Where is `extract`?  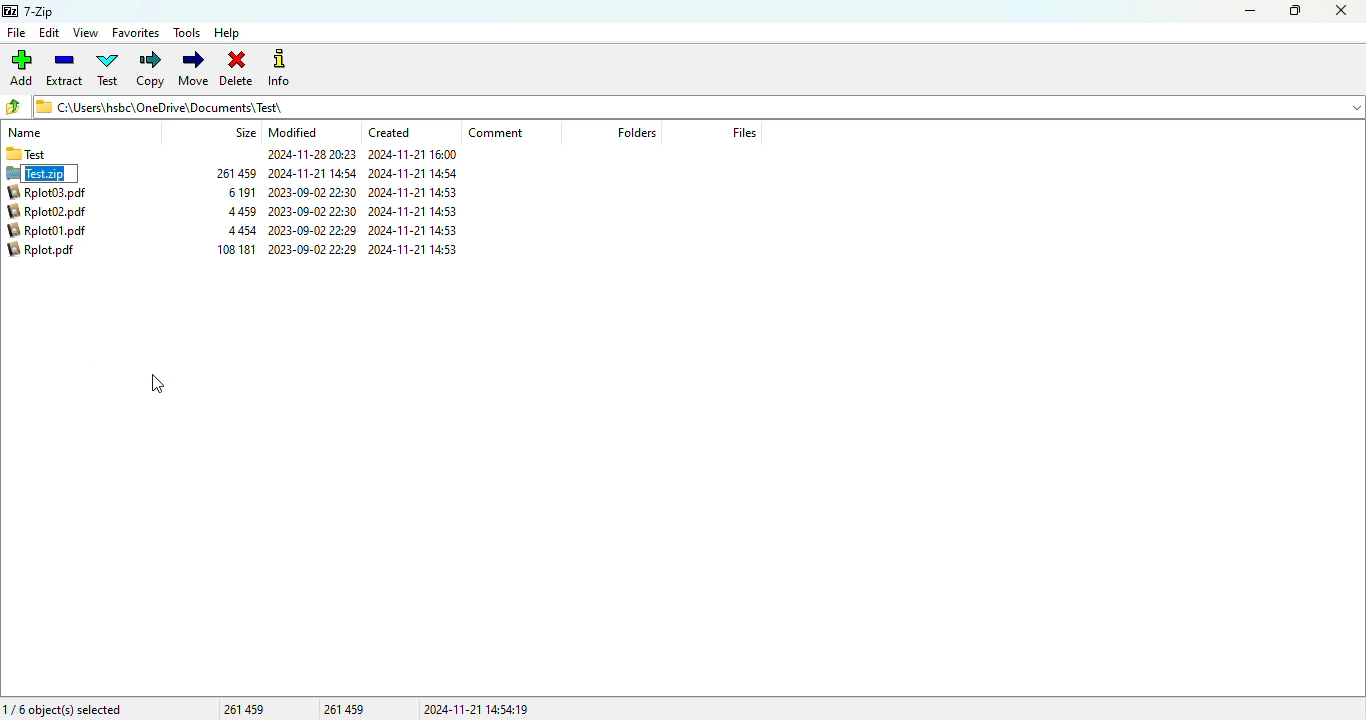
extract is located at coordinates (65, 69).